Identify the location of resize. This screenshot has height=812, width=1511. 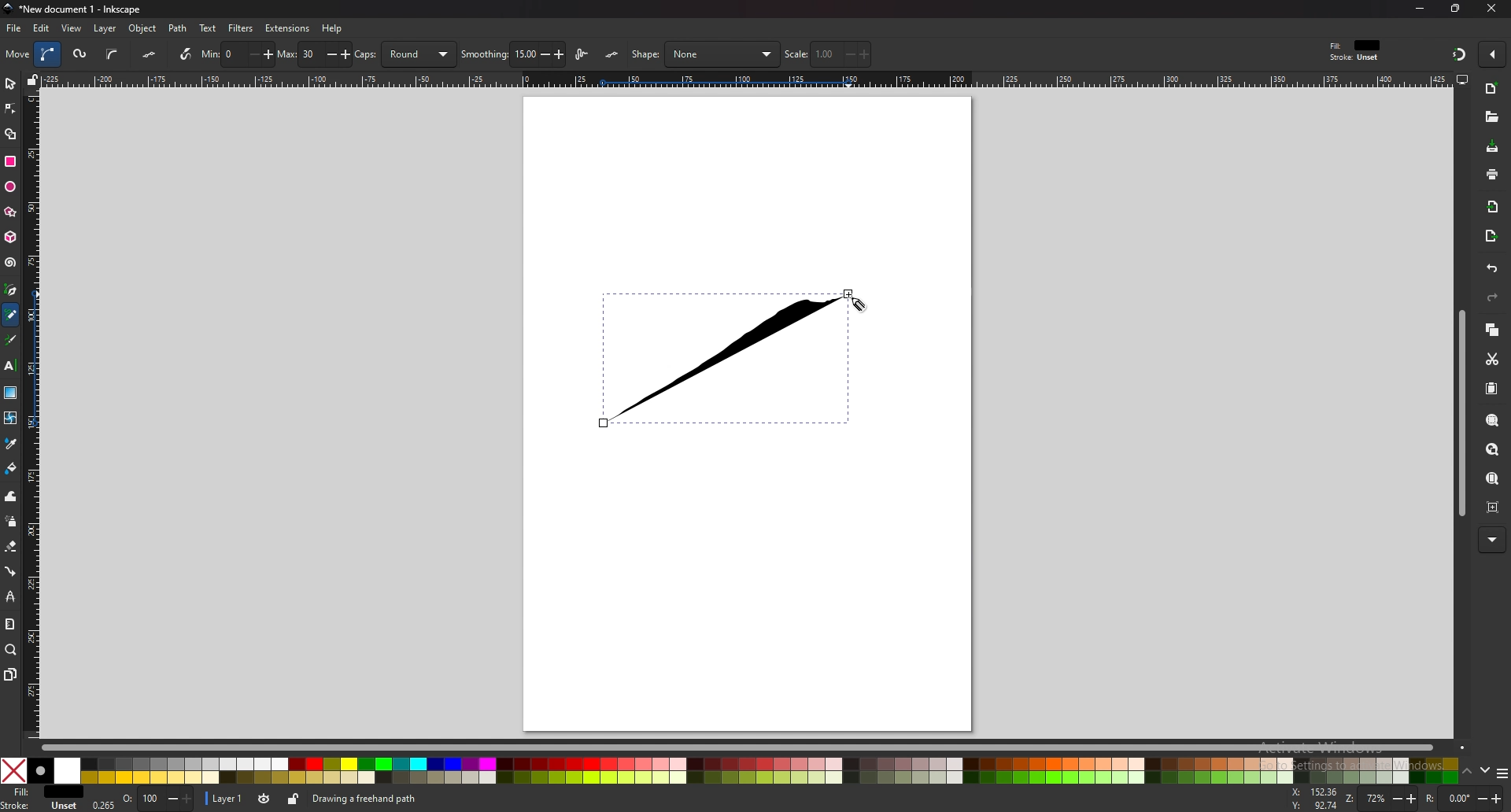
(1454, 9).